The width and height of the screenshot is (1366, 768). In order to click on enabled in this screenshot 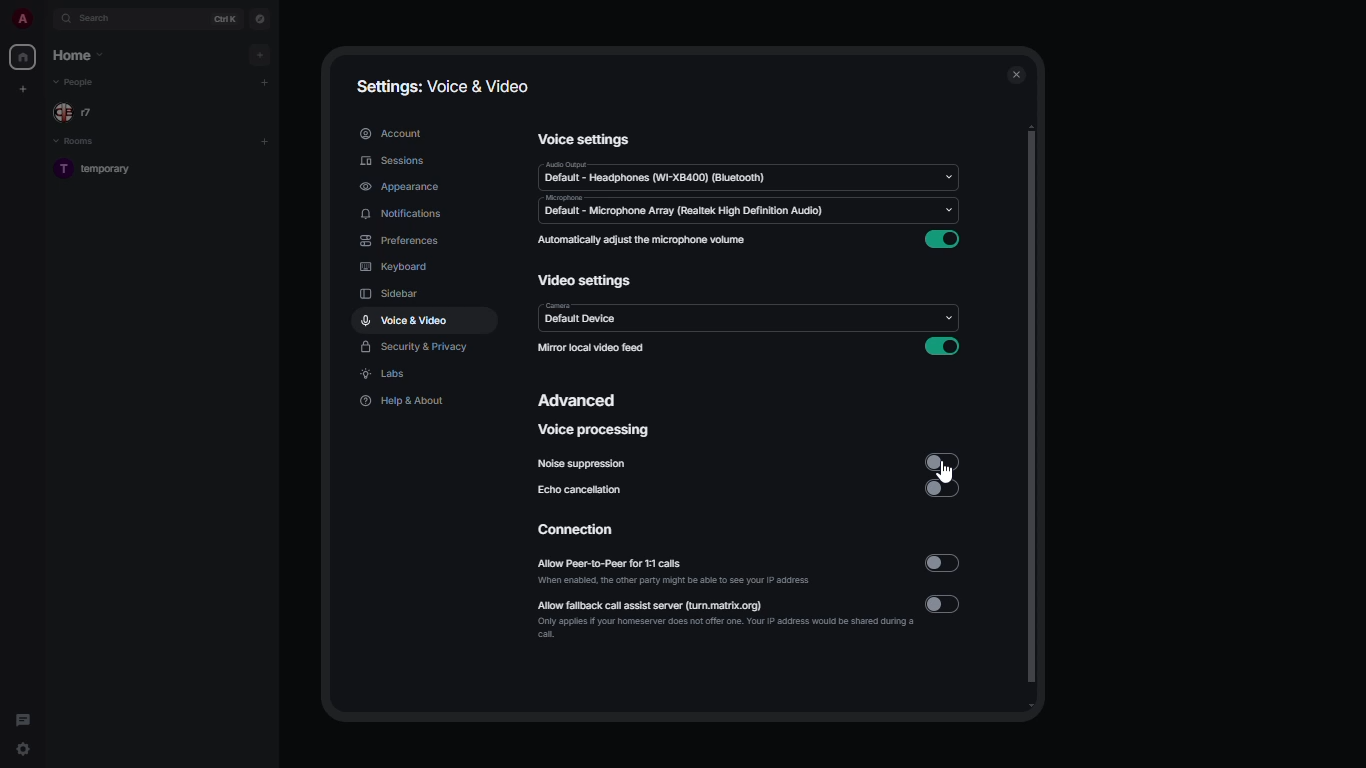, I will do `click(943, 347)`.